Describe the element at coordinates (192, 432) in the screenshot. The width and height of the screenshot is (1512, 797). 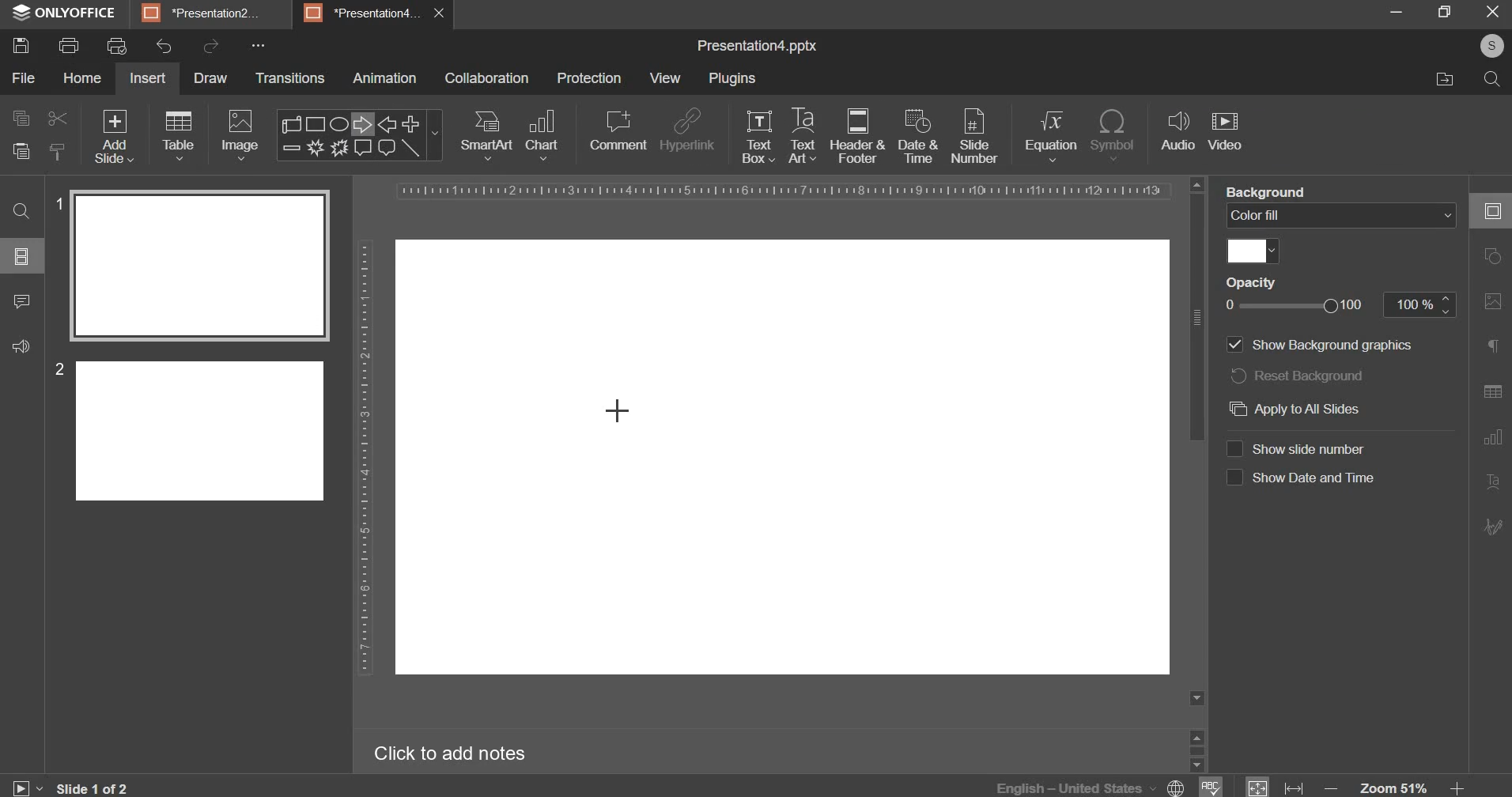
I see `slide 2` at that location.